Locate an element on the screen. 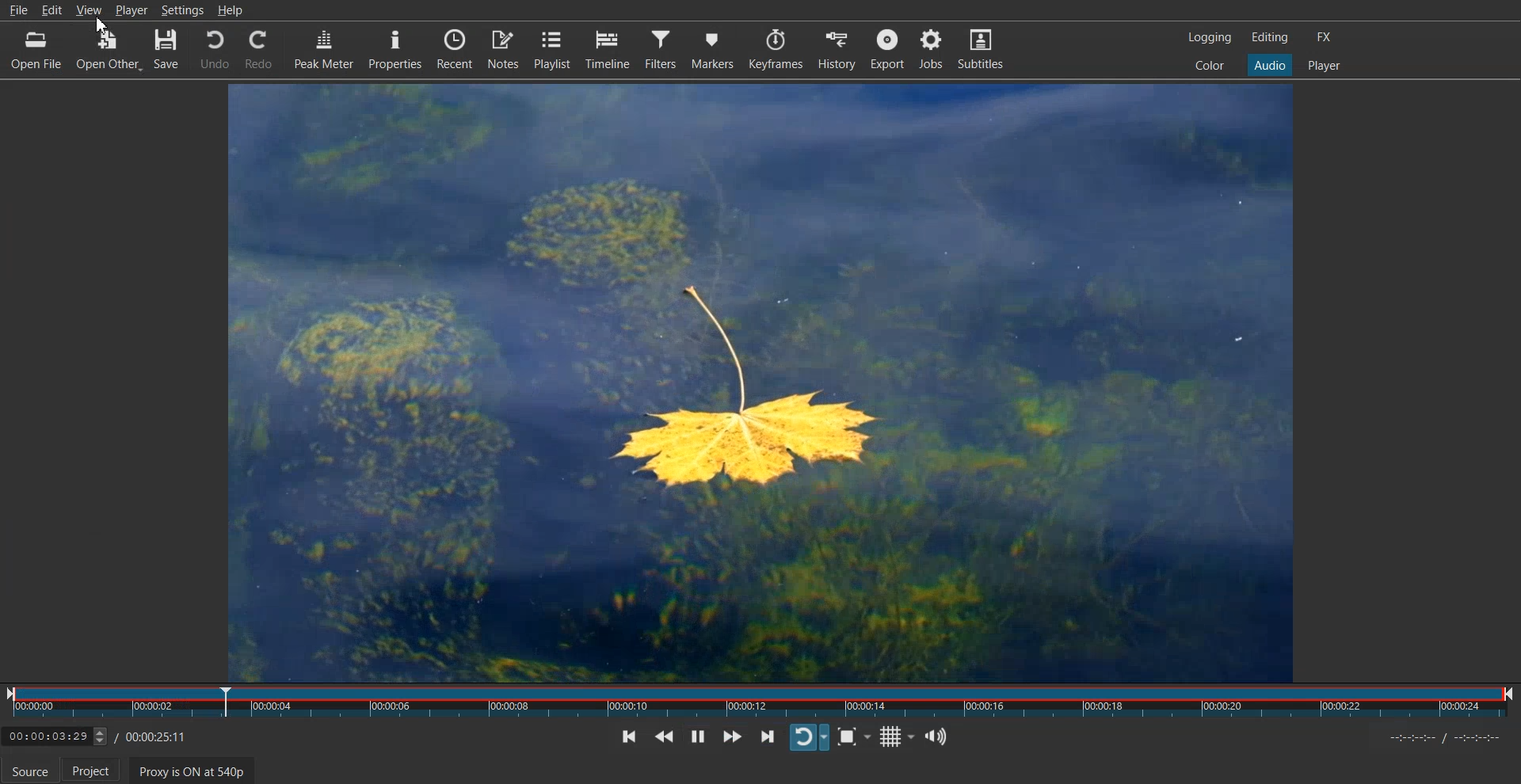 The height and width of the screenshot is (784, 1521). Markers is located at coordinates (712, 48).